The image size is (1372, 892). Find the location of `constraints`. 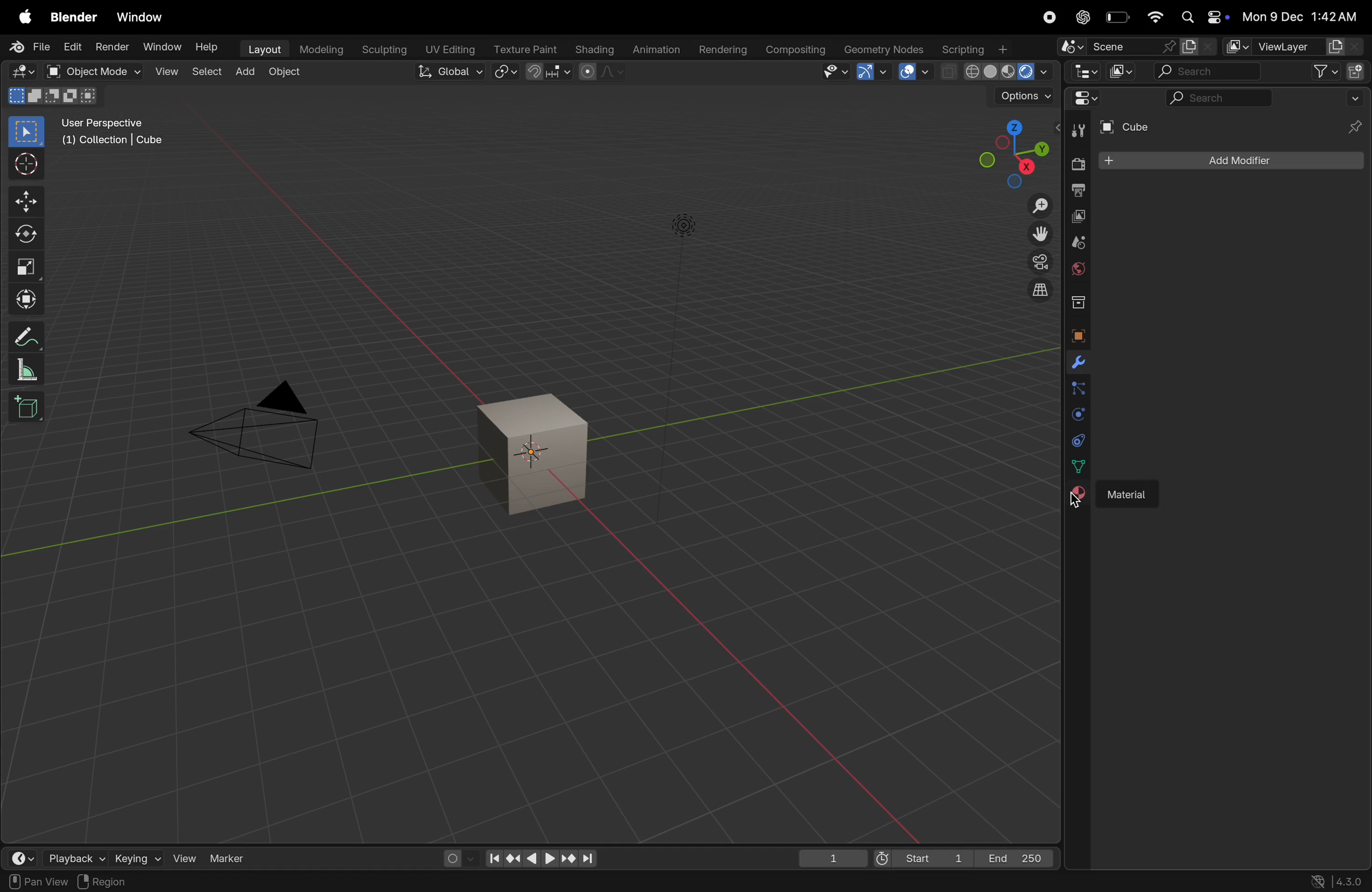

constraints is located at coordinates (1076, 440).